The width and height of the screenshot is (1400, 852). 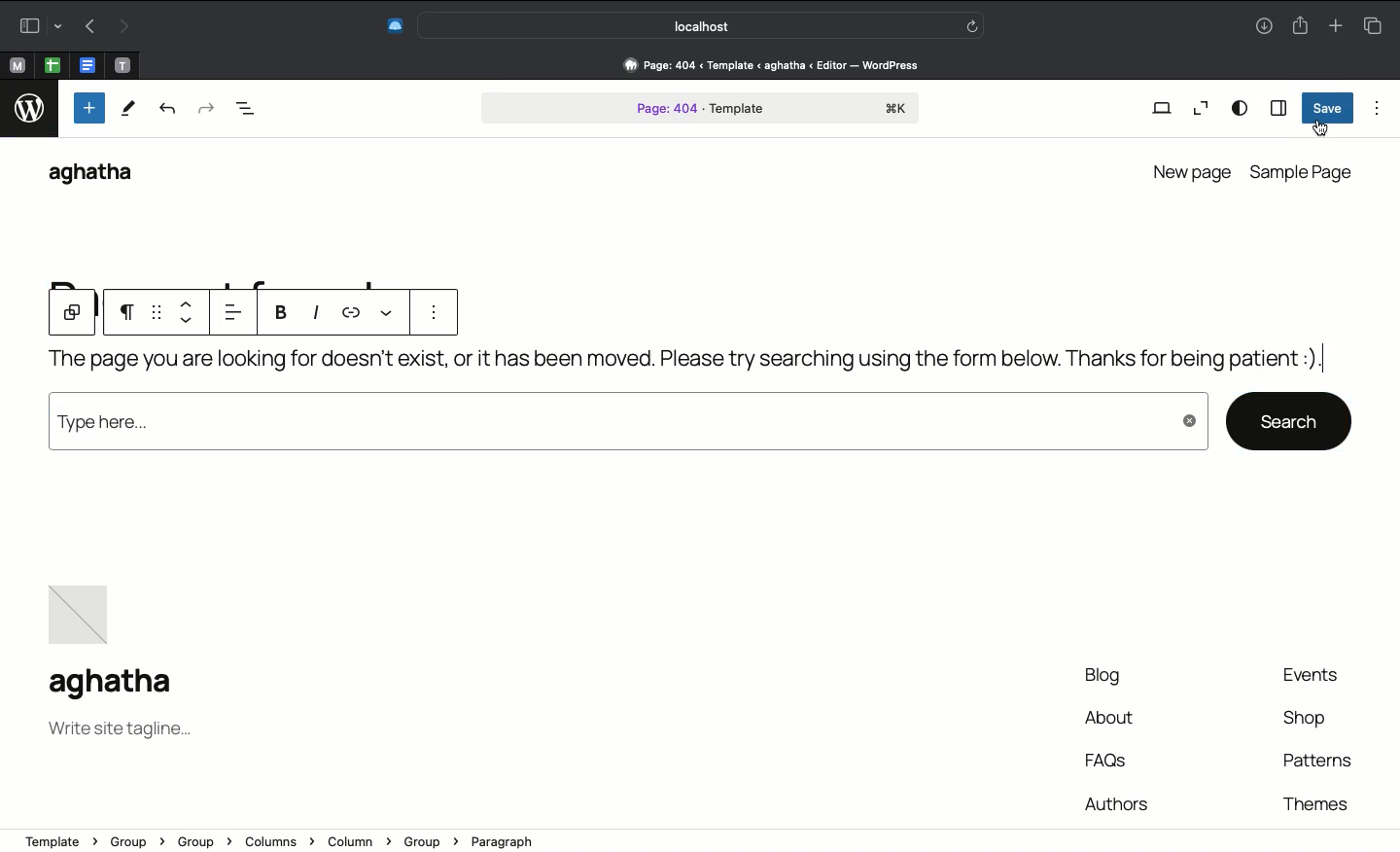 I want to click on Group, so click(x=72, y=314).